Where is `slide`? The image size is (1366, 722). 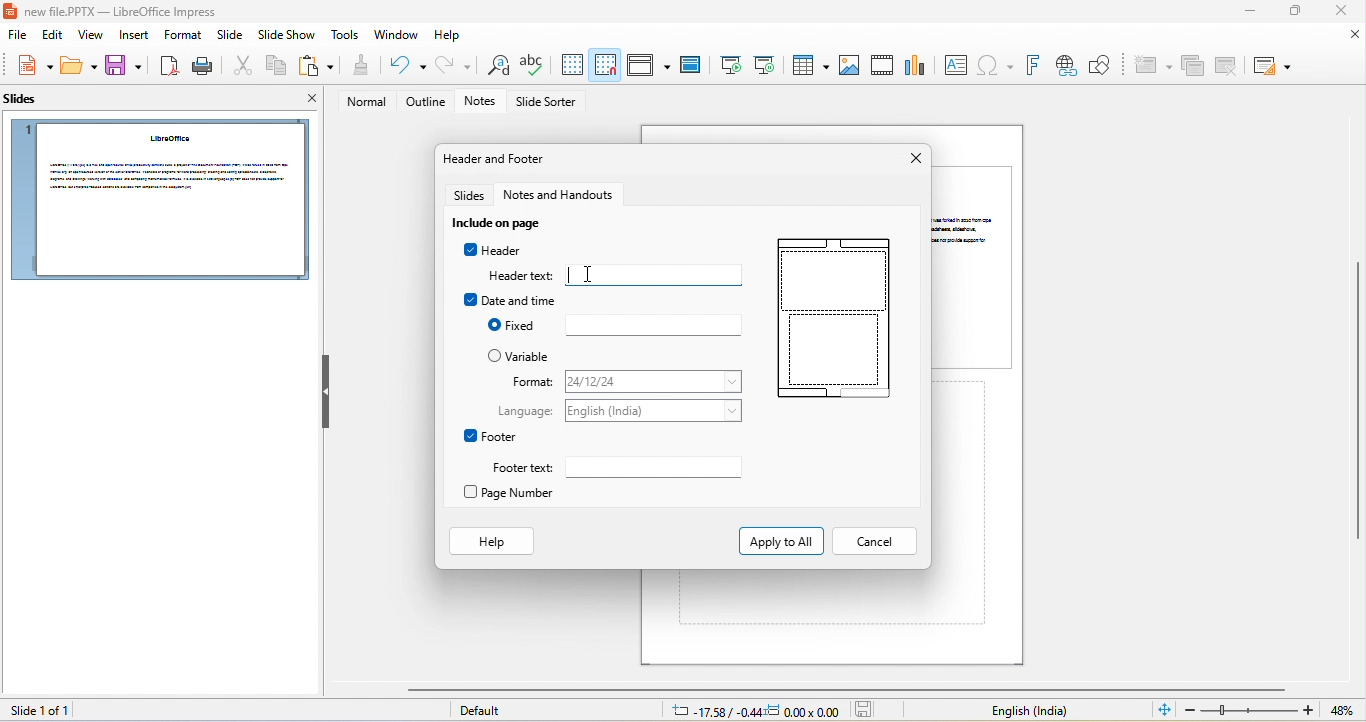
slide is located at coordinates (976, 266).